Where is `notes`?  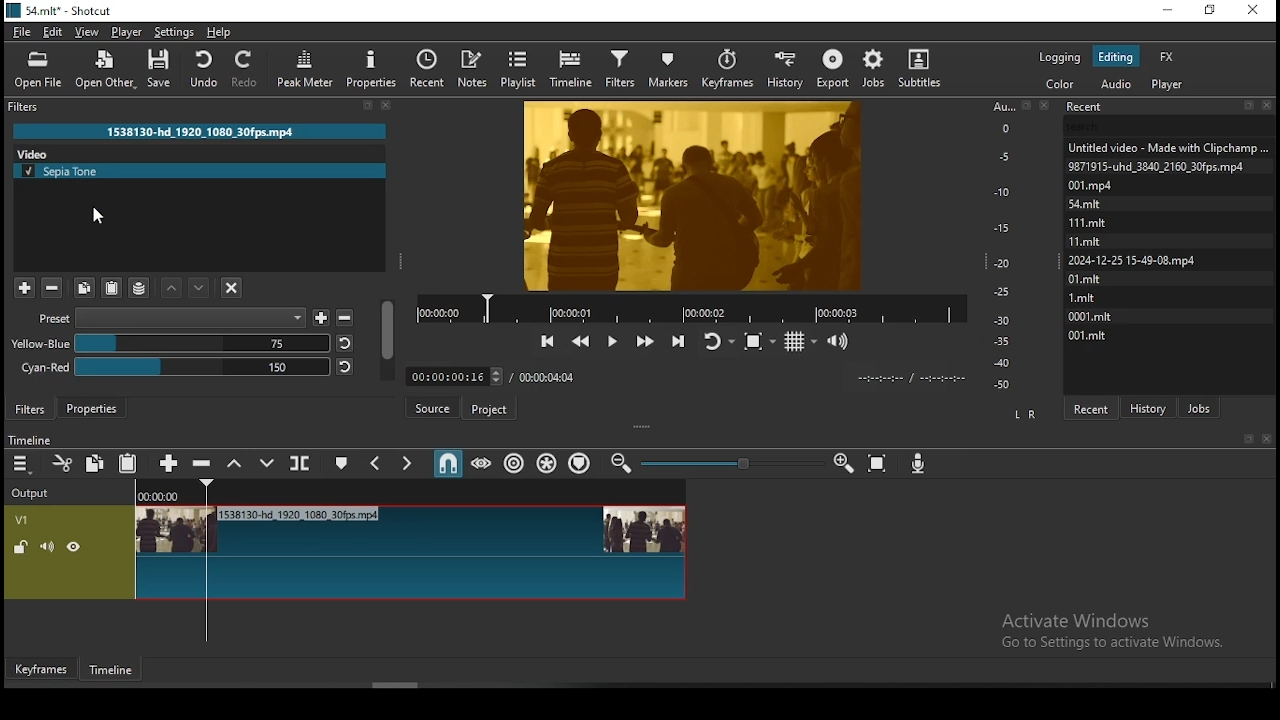 notes is located at coordinates (475, 67).